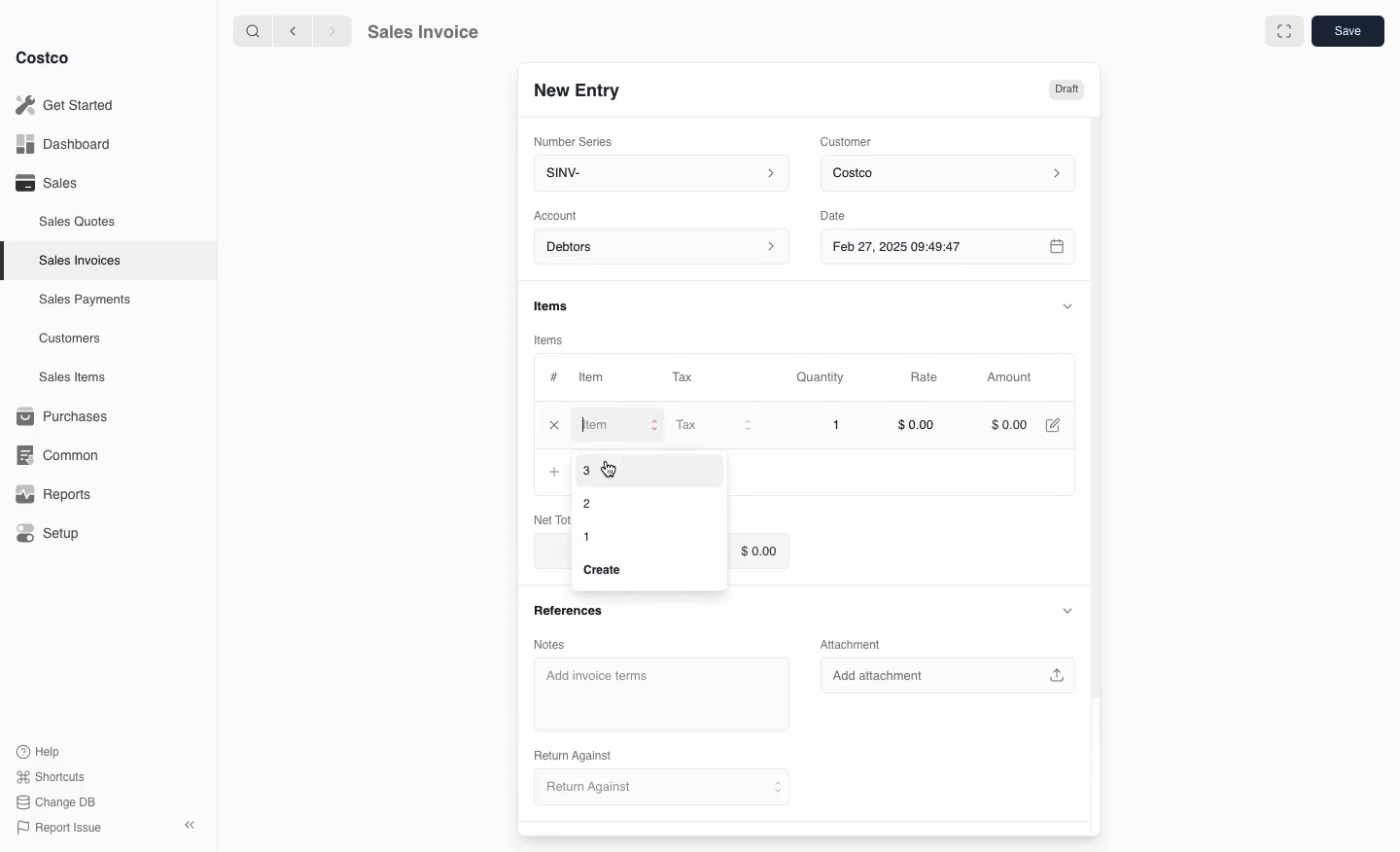 Image resolution: width=1400 pixels, height=852 pixels. What do you see at coordinates (560, 307) in the screenshot?
I see `Items` at bounding box center [560, 307].